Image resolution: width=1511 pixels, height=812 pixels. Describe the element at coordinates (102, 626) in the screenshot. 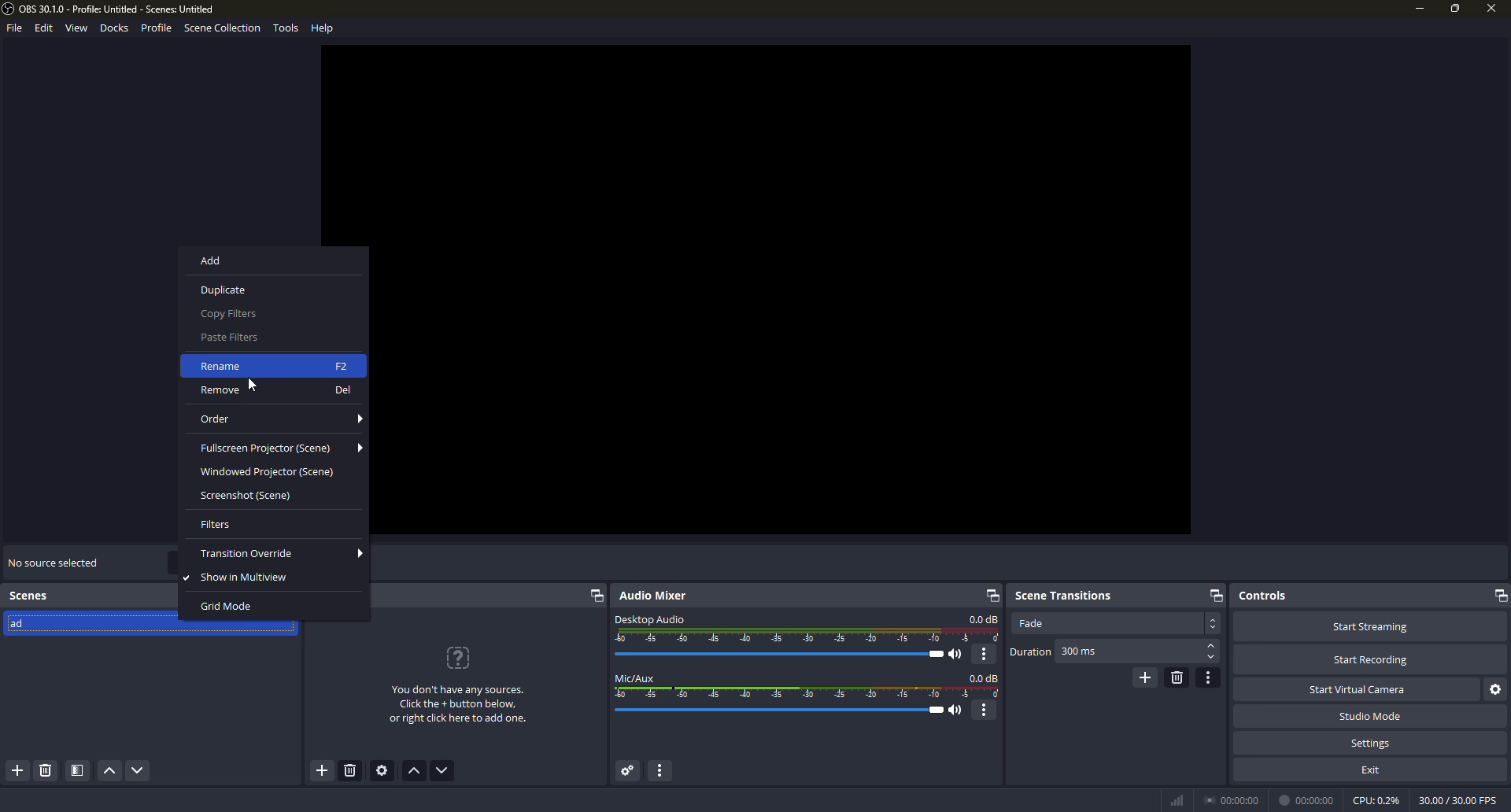

I see `selected scene` at that location.